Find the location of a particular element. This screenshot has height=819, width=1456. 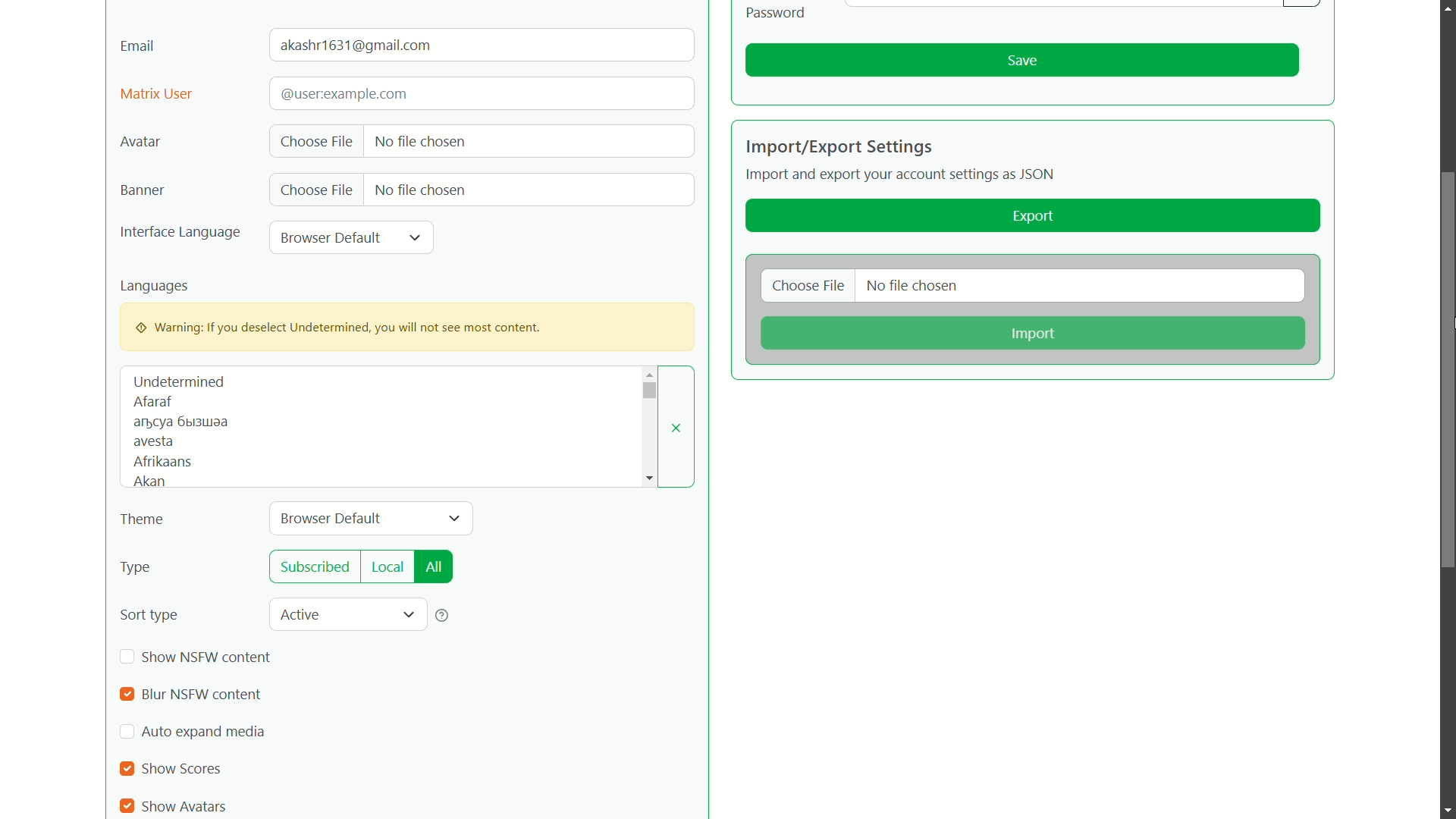

help is located at coordinates (443, 615).